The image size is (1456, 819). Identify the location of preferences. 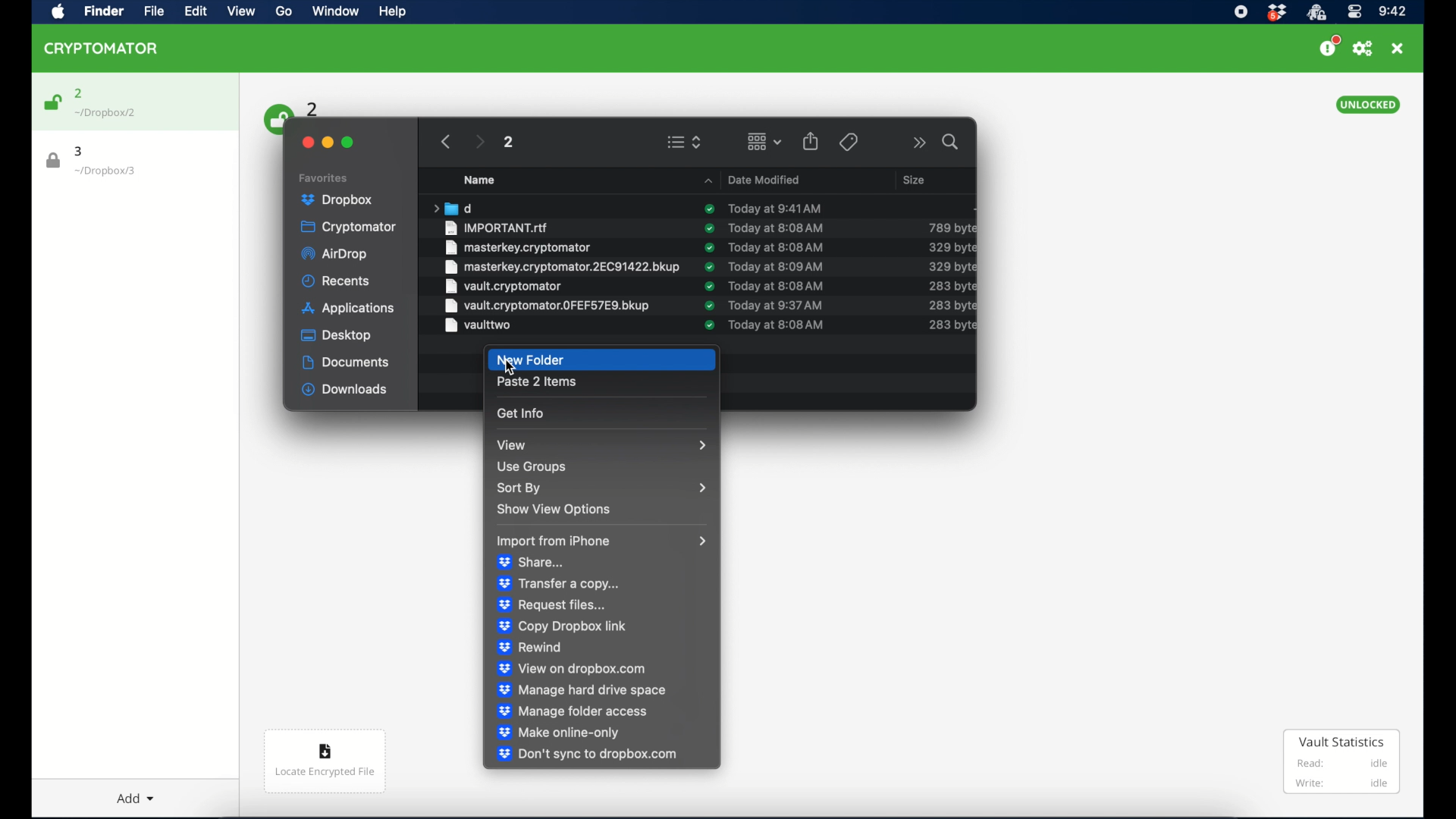
(1363, 49).